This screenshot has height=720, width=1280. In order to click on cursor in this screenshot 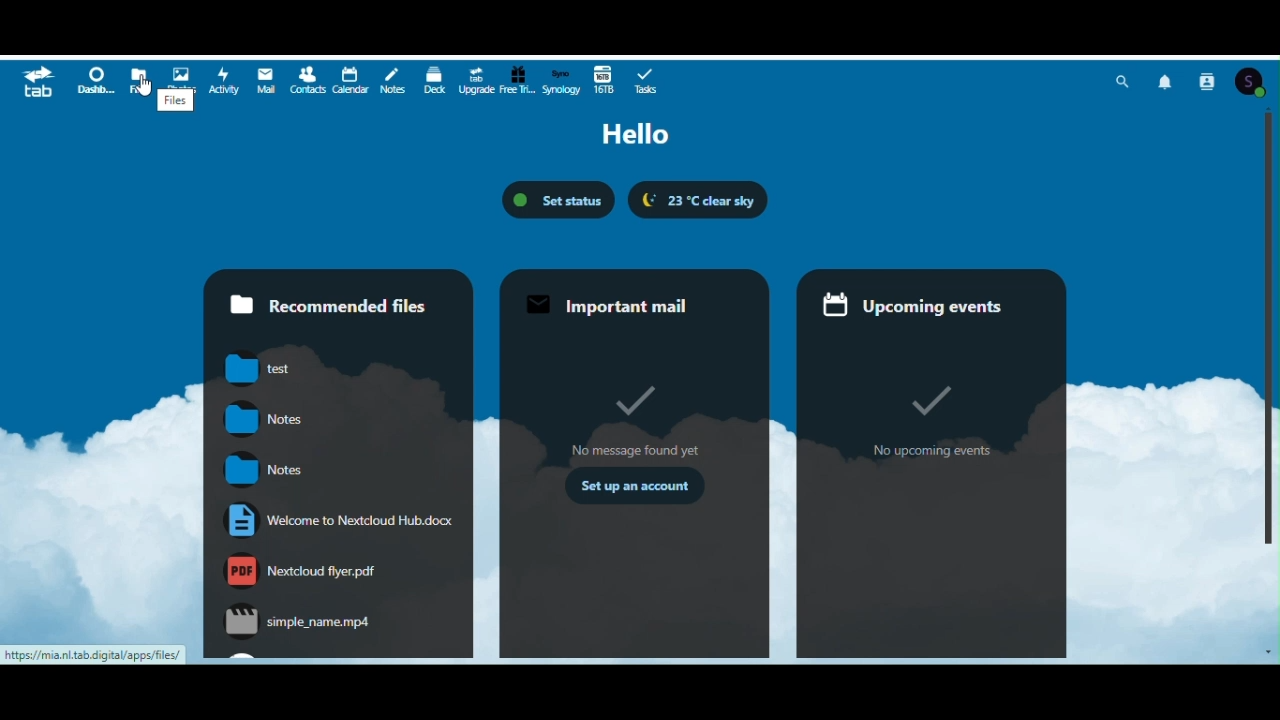, I will do `click(143, 96)`.